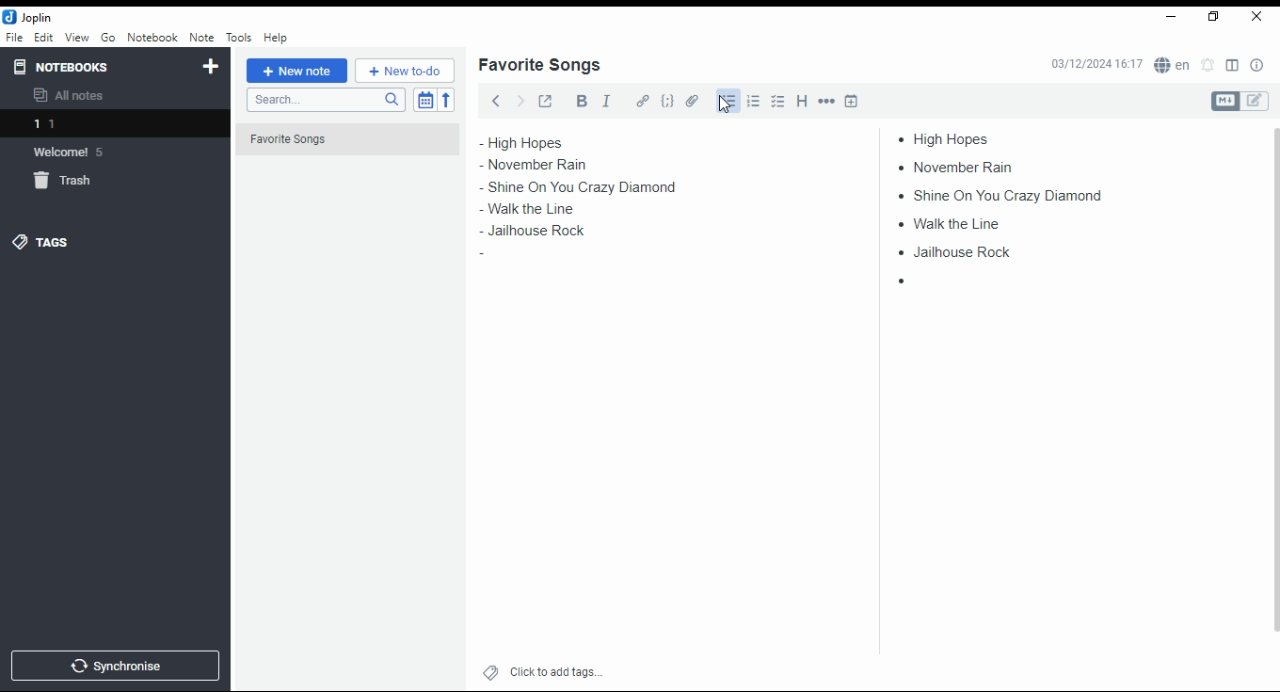 The height and width of the screenshot is (692, 1280). What do you see at coordinates (546, 100) in the screenshot?
I see `toggle external editing` at bounding box center [546, 100].